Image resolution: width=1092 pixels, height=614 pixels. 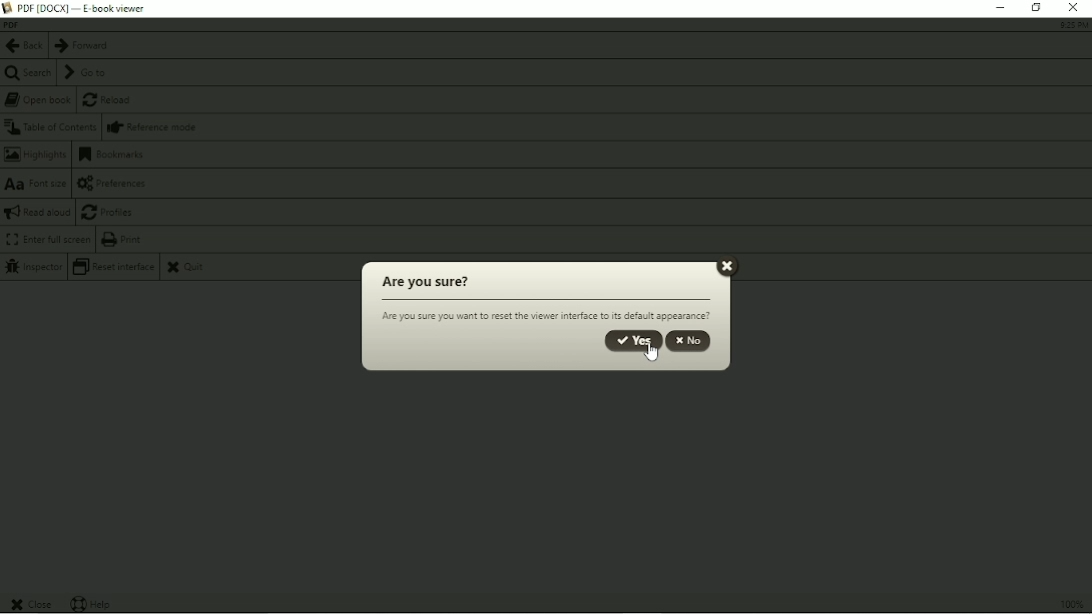 What do you see at coordinates (23, 46) in the screenshot?
I see `Back` at bounding box center [23, 46].